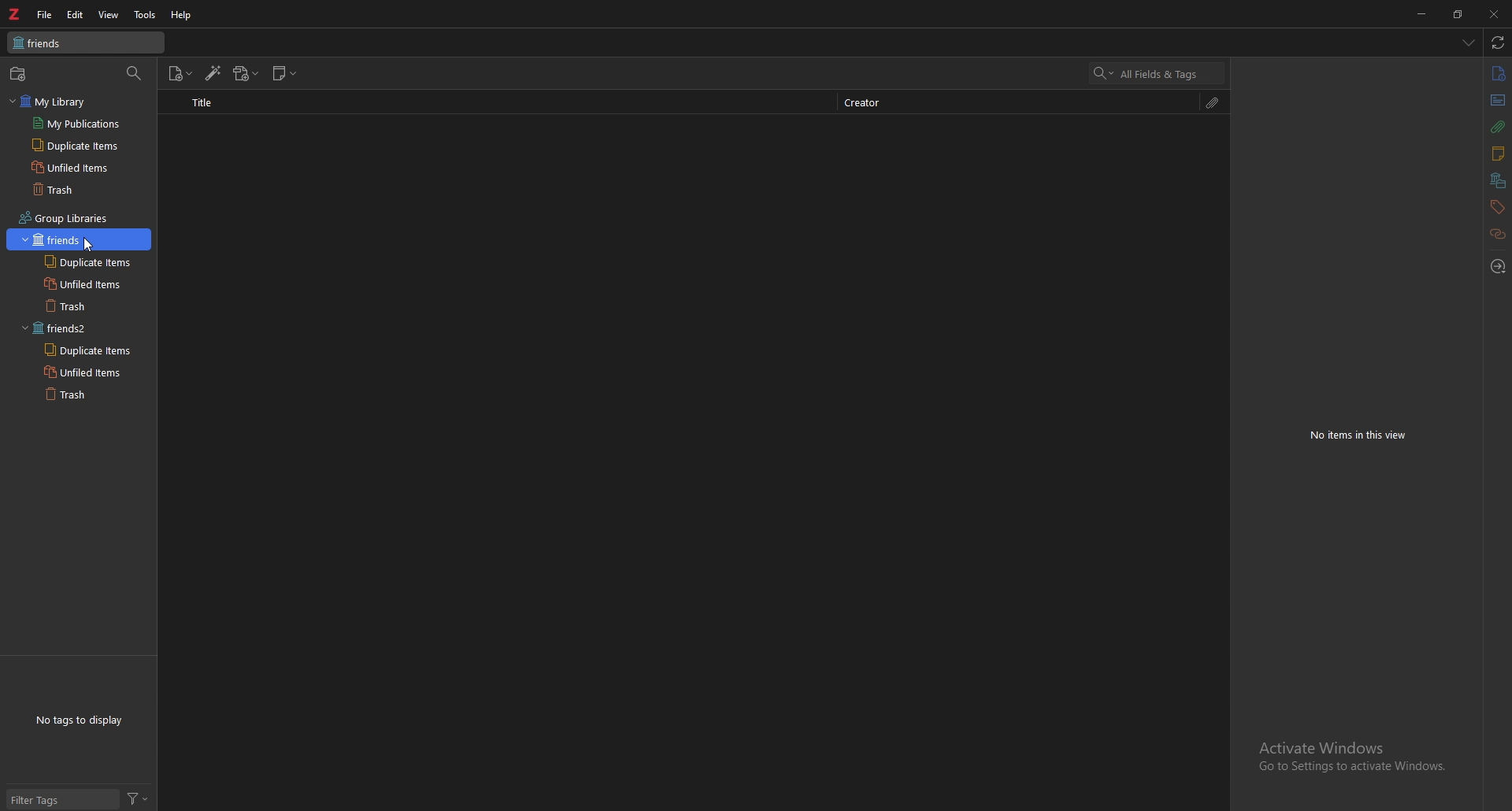  What do you see at coordinates (82, 720) in the screenshot?
I see `No tags to display` at bounding box center [82, 720].